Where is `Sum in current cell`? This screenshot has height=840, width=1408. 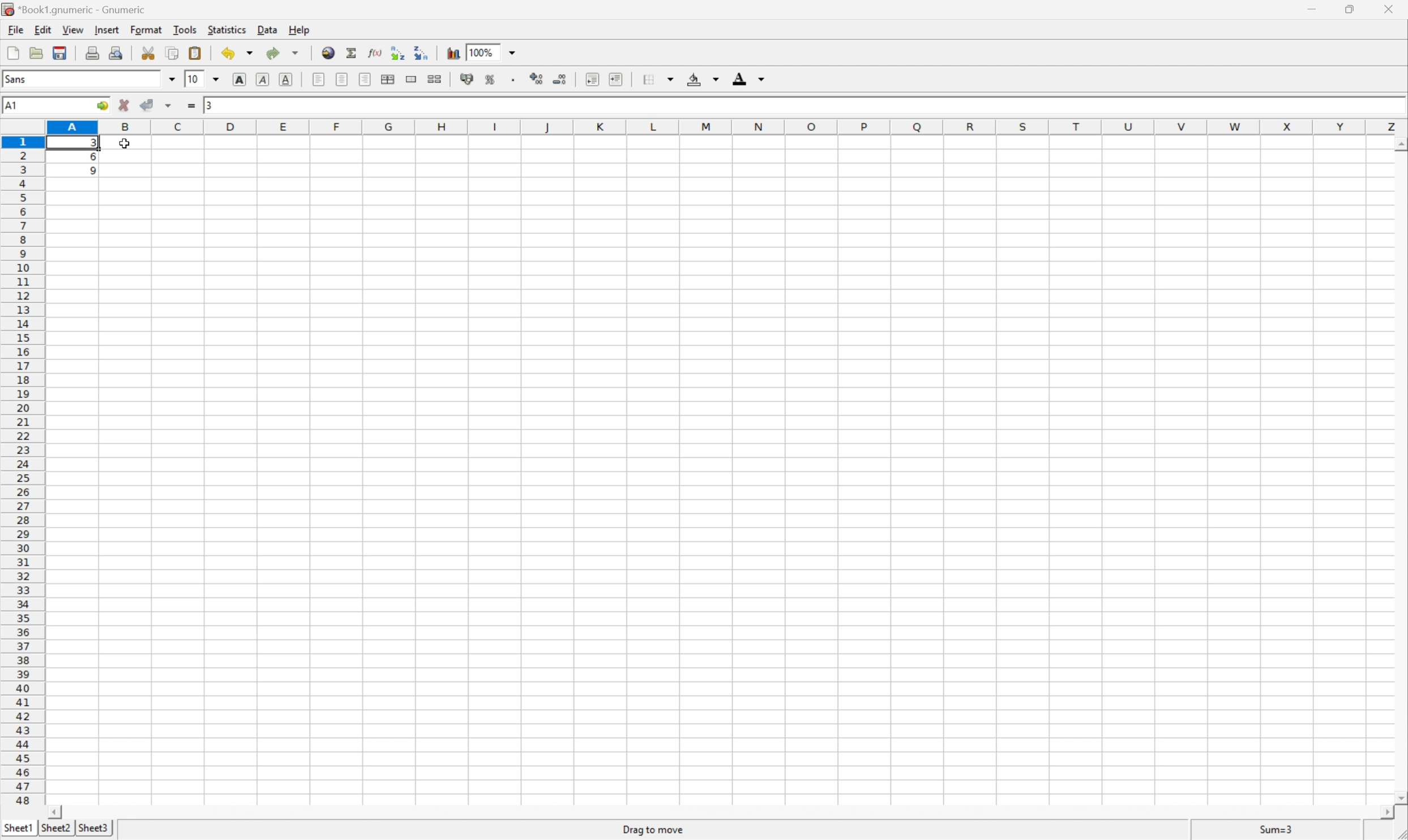 Sum in current cell is located at coordinates (352, 53).